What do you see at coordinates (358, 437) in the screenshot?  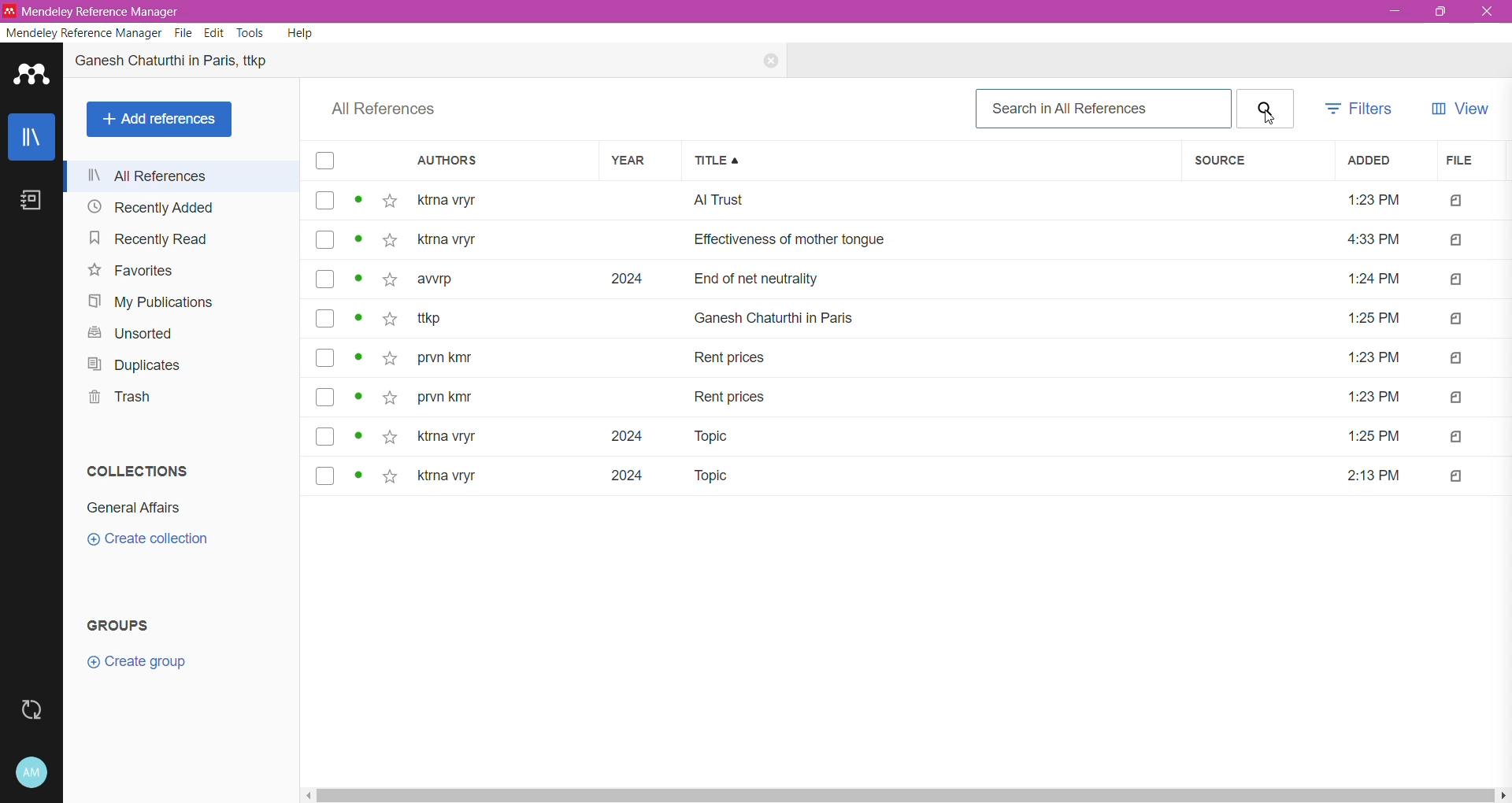 I see `view status` at bounding box center [358, 437].